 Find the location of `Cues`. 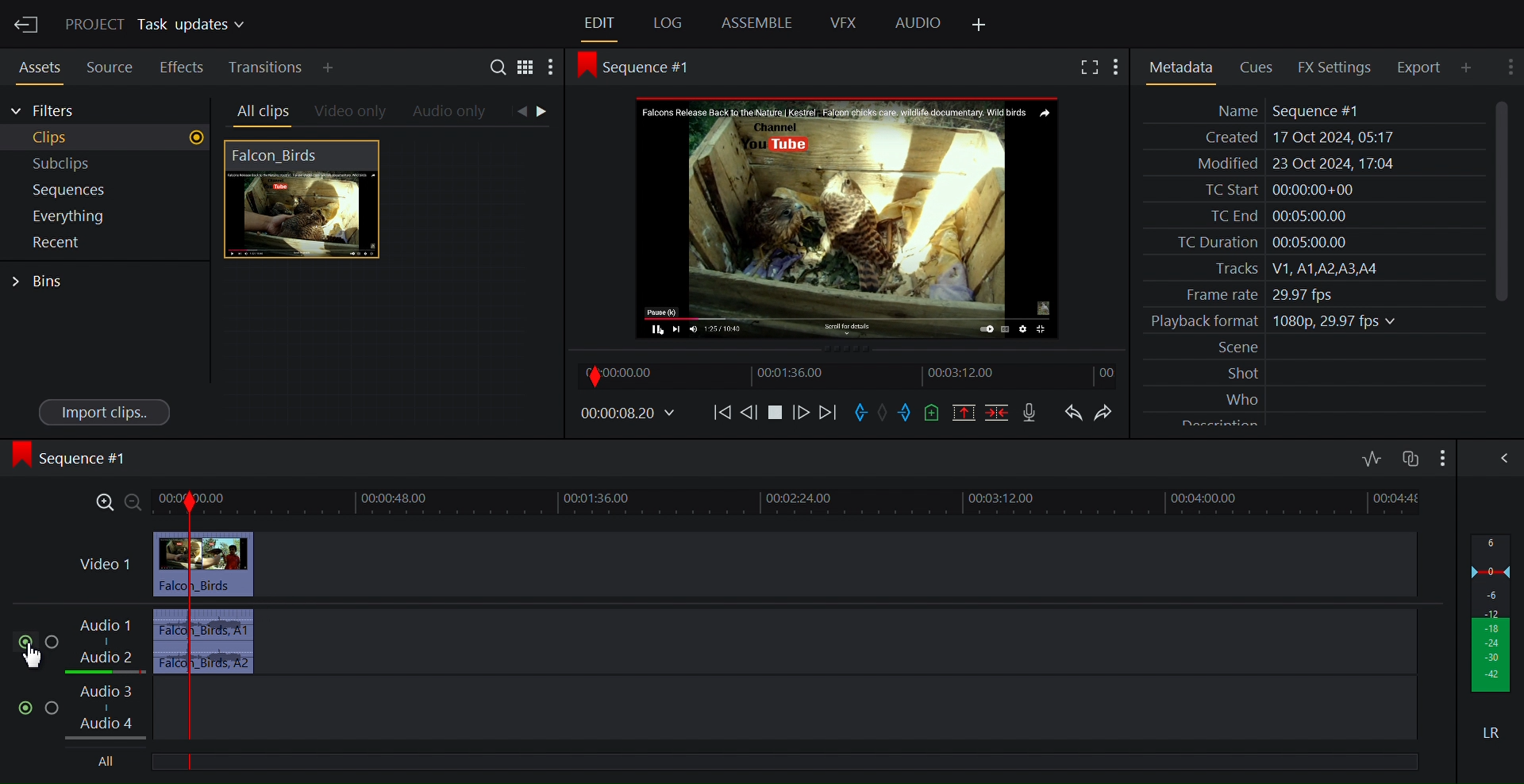

Cues is located at coordinates (1261, 66).